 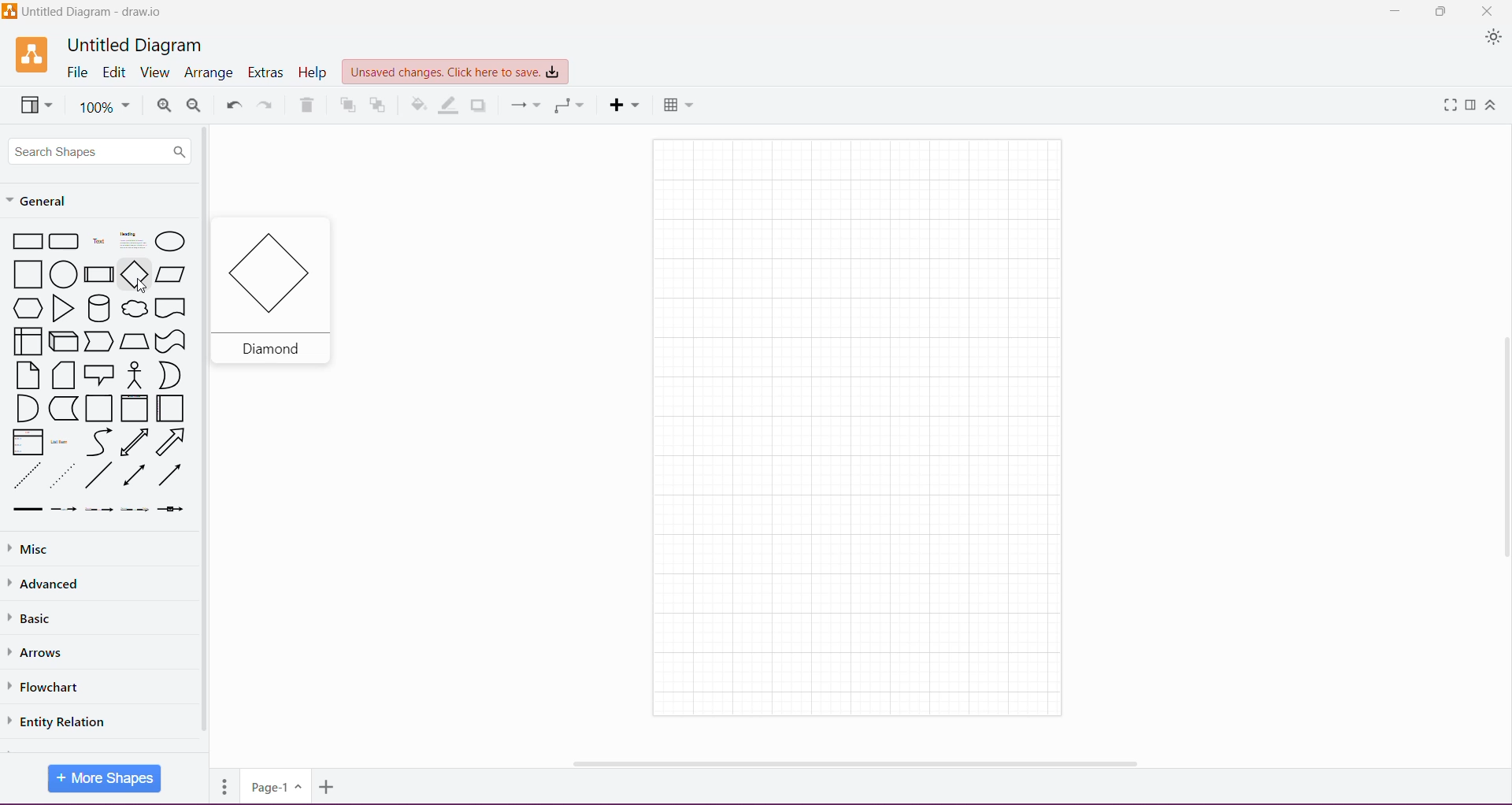 What do you see at coordinates (210, 74) in the screenshot?
I see `Arrange` at bounding box center [210, 74].